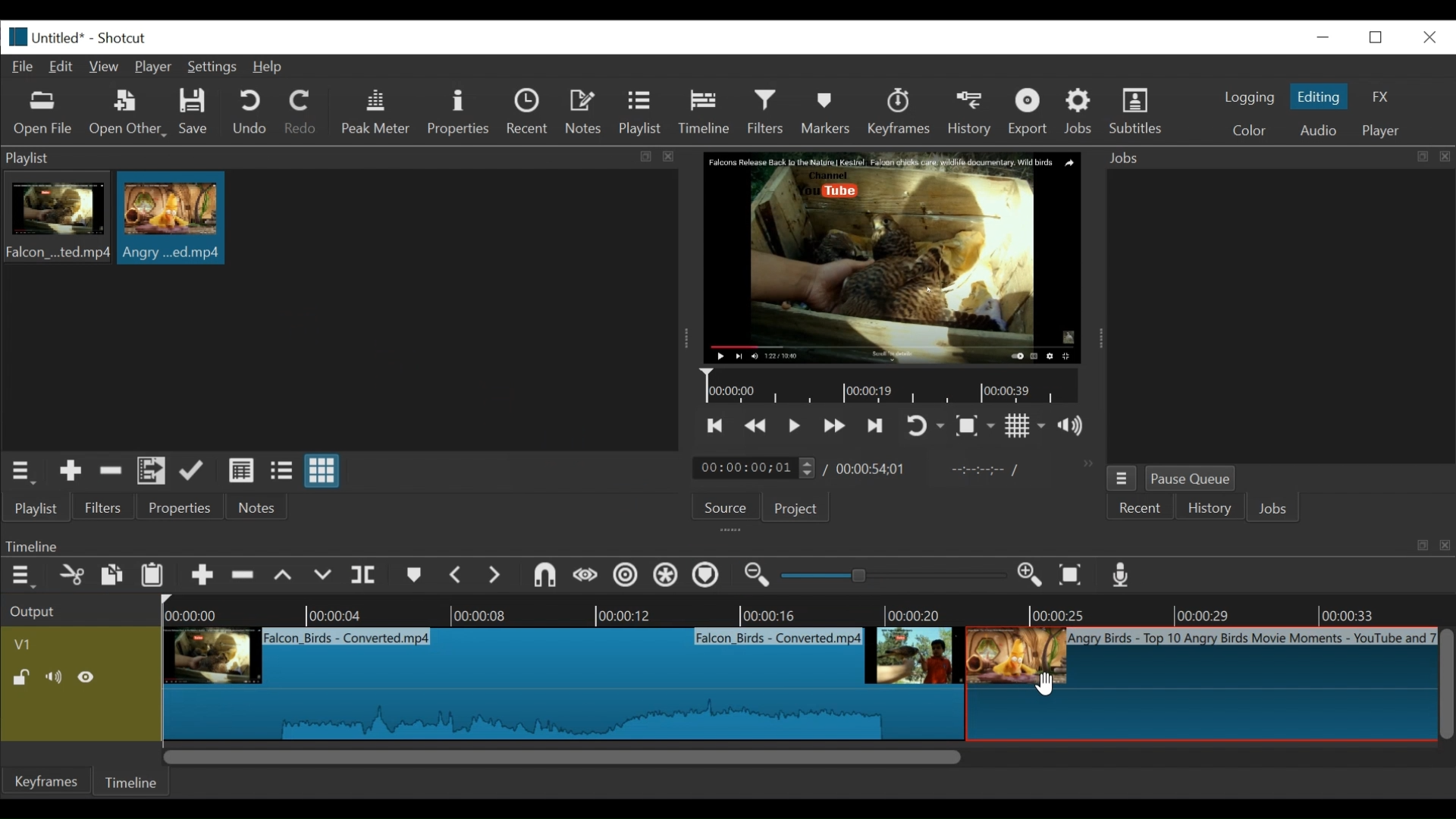  I want to click on play quickly backward, so click(756, 426).